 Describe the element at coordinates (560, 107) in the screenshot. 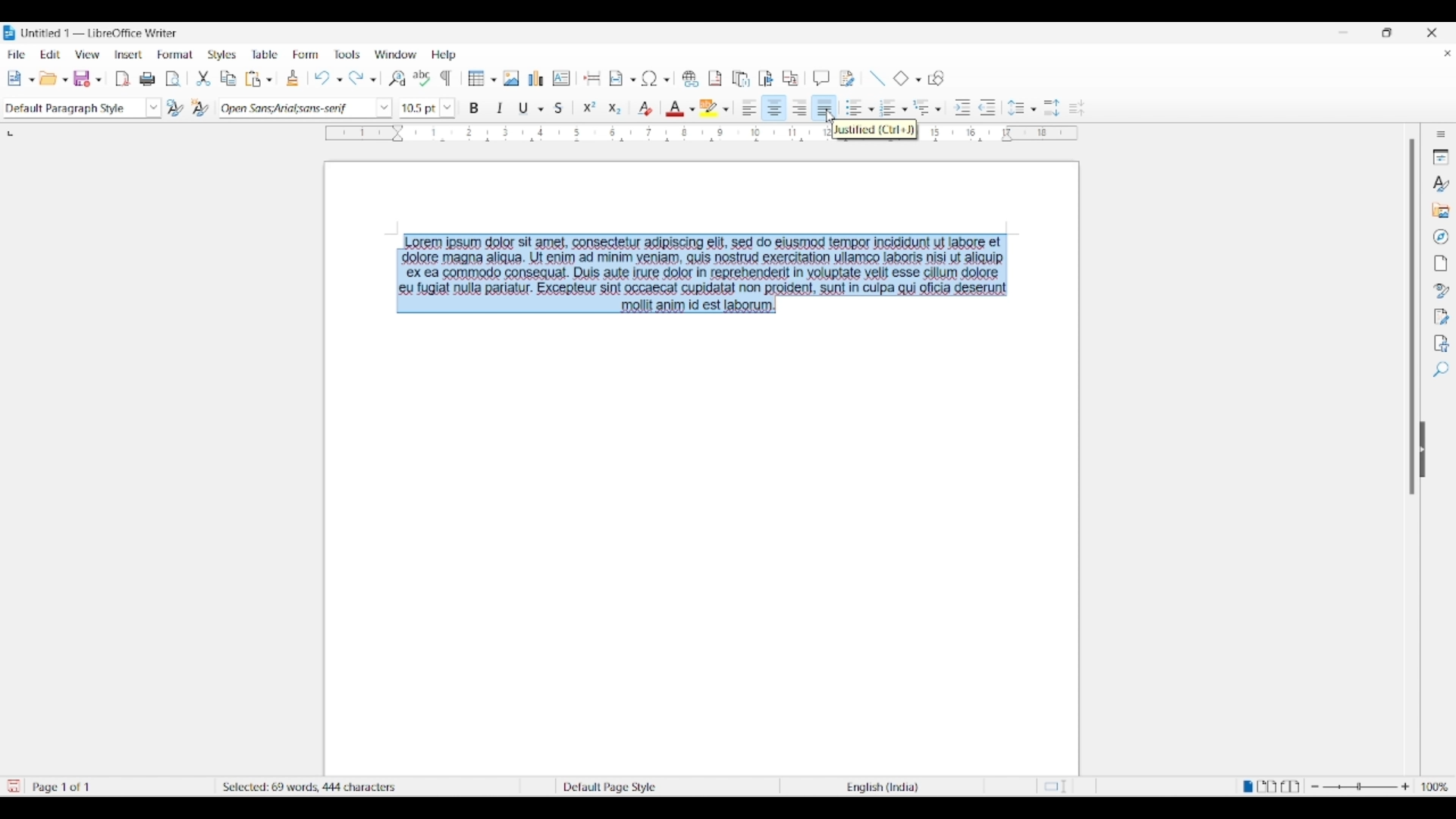

I see `Strikethrough selected text` at that location.